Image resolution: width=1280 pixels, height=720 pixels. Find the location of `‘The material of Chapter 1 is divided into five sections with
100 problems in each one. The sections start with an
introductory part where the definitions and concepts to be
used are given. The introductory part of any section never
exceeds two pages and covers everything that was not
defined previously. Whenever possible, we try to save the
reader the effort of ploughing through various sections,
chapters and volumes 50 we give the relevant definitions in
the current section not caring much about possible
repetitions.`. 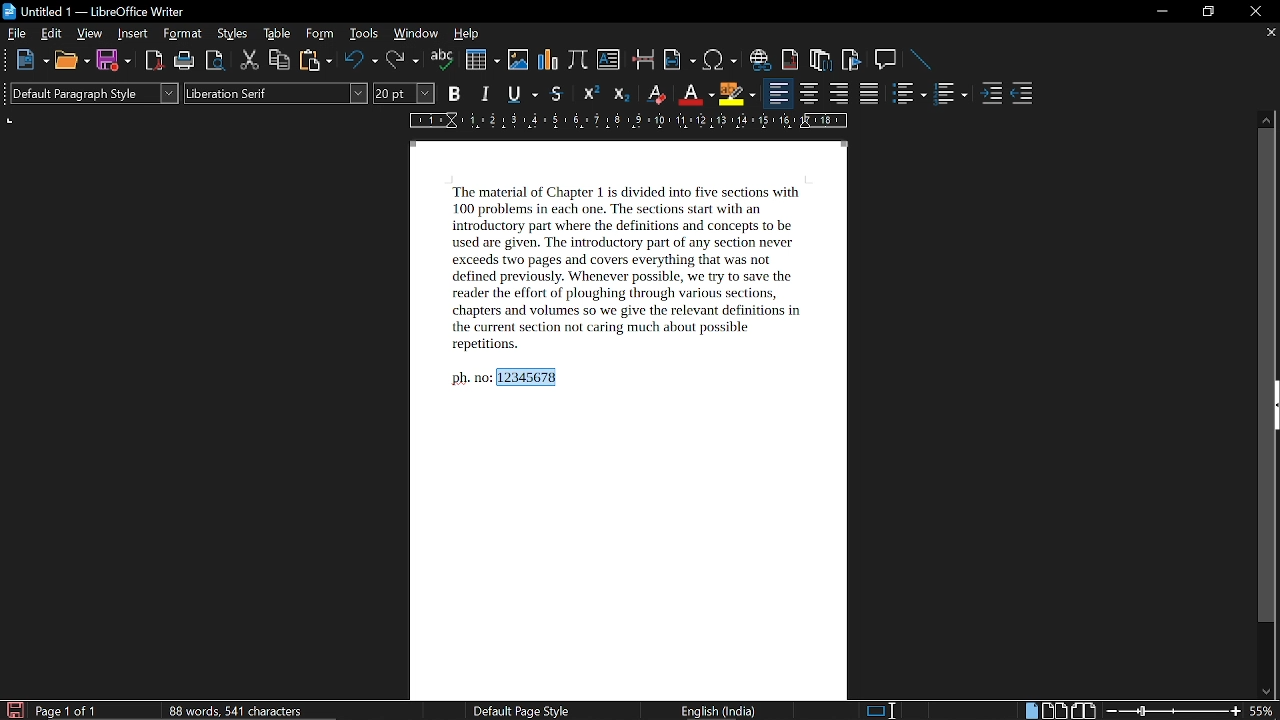

‘The material of Chapter 1 is divided into five sections with
100 problems in each one. The sections start with an
introductory part where the definitions and concepts to be
used are given. The introductory part of any section never
exceeds two pages and covers everything that was not
defined previously. Whenever possible, we try to save the
reader the effort of ploughing through various sections,
chapters and volumes 50 we give the relevant definitions in
the current section not caring much about possible
repetitions. is located at coordinates (627, 268).